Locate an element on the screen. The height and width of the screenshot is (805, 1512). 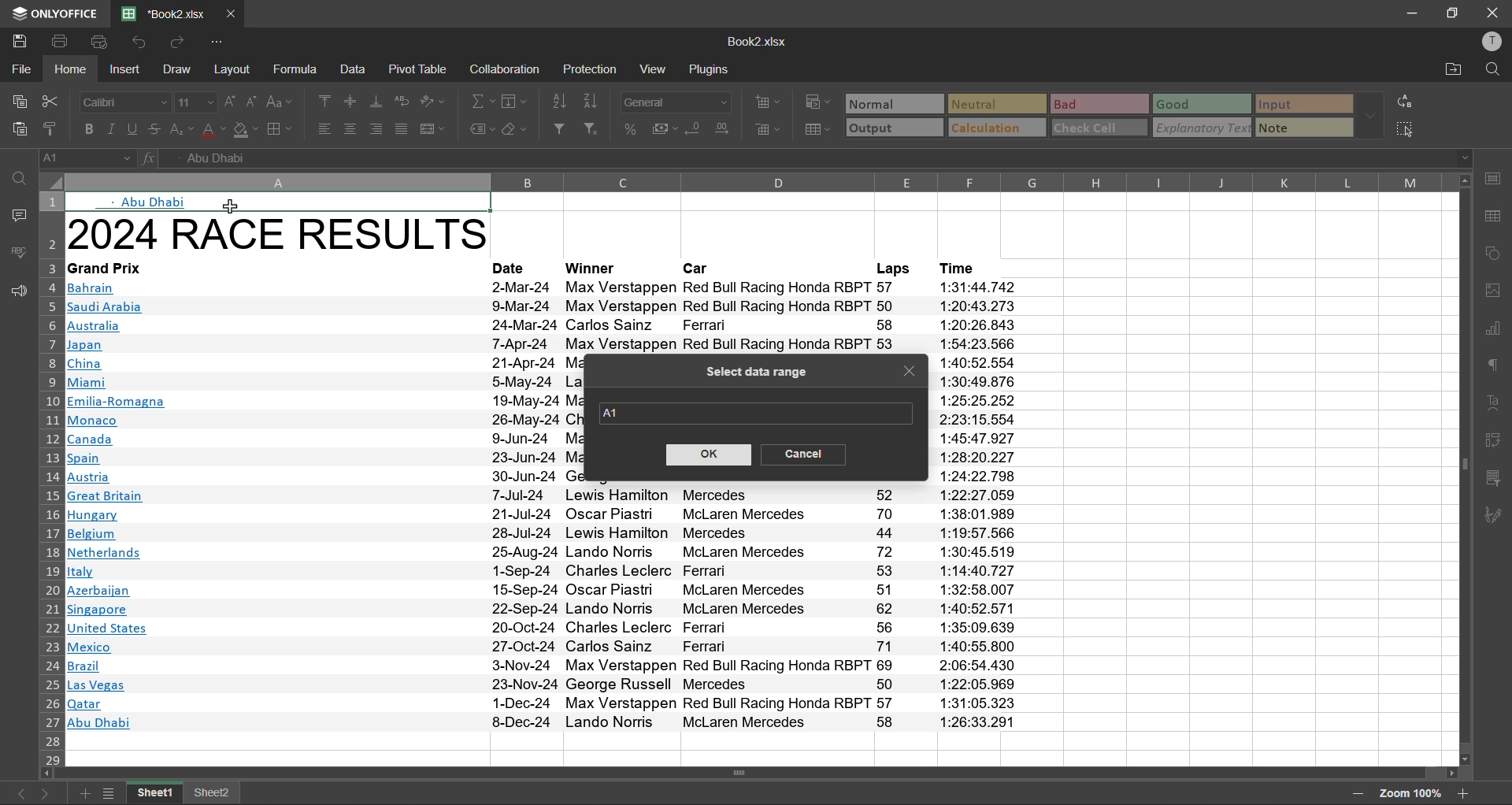
add sheet is located at coordinates (84, 793).